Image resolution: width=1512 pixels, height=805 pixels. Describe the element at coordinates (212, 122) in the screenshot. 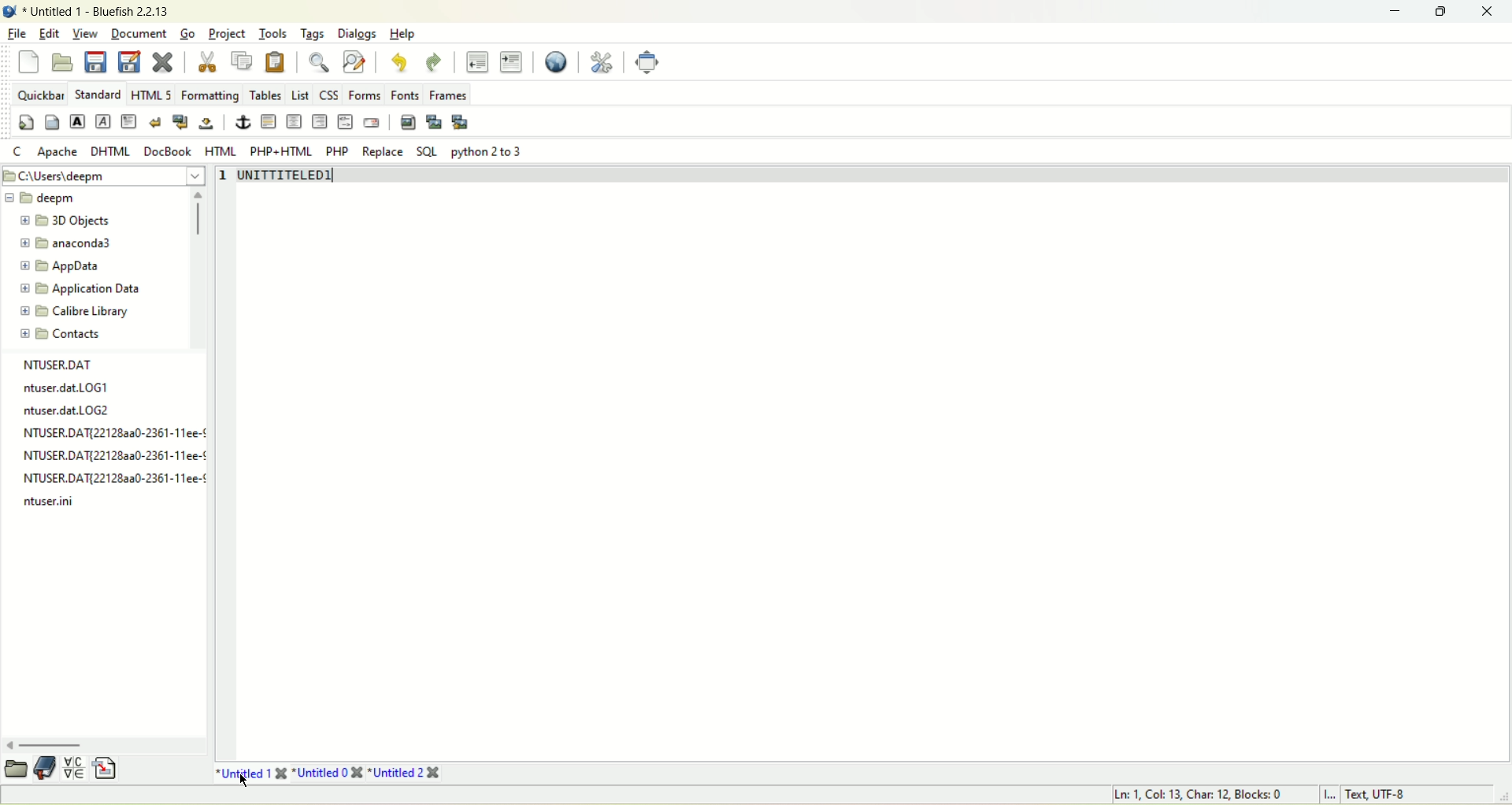

I see `non breaking space` at that location.